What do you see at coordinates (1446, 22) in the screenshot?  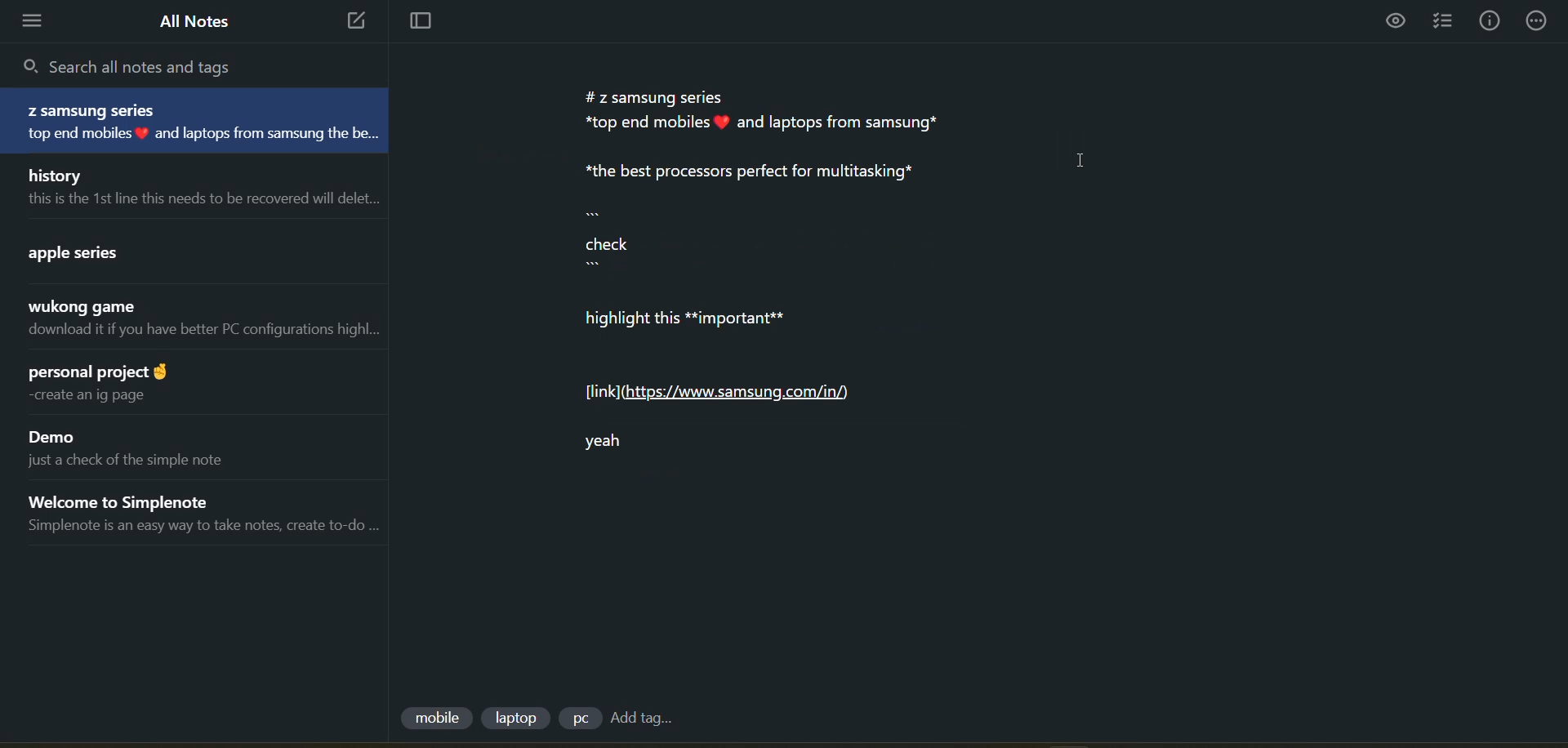 I see `insert checklist` at bounding box center [1446, 22].